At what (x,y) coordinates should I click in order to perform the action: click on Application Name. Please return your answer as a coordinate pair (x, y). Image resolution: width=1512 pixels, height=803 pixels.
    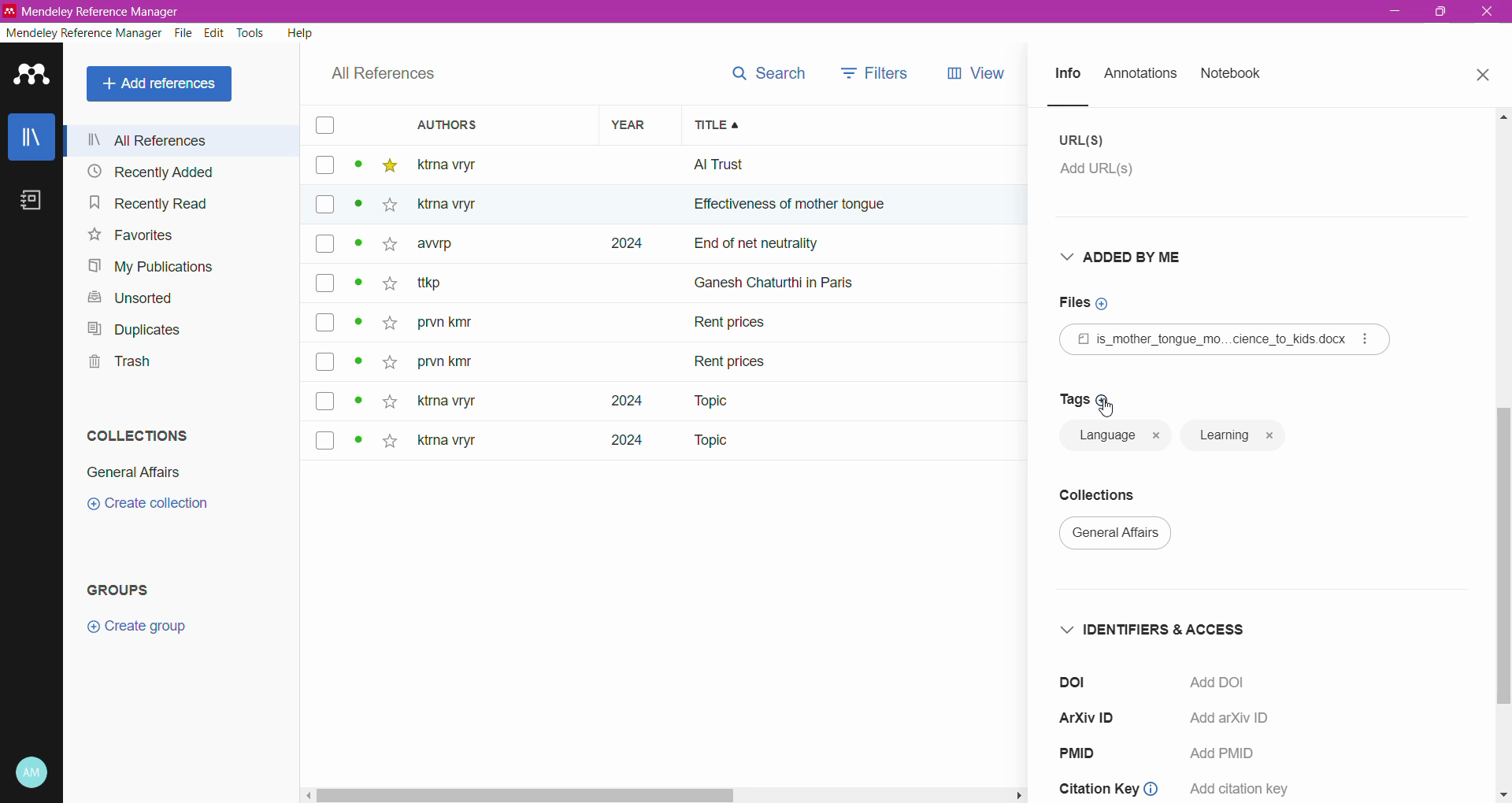
    Looking at the image, I should click on (107, 11).